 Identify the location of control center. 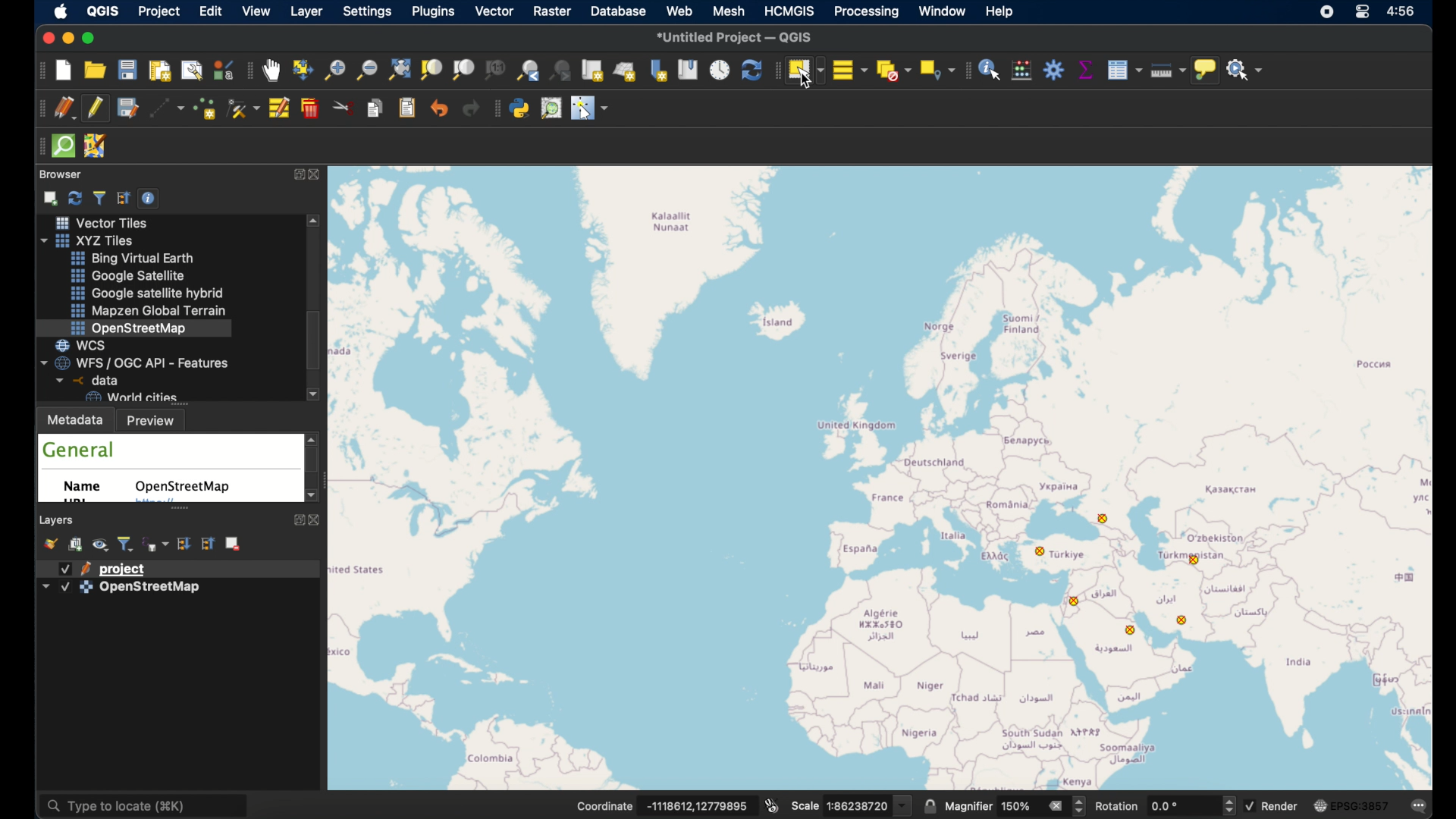
(1364, 14).